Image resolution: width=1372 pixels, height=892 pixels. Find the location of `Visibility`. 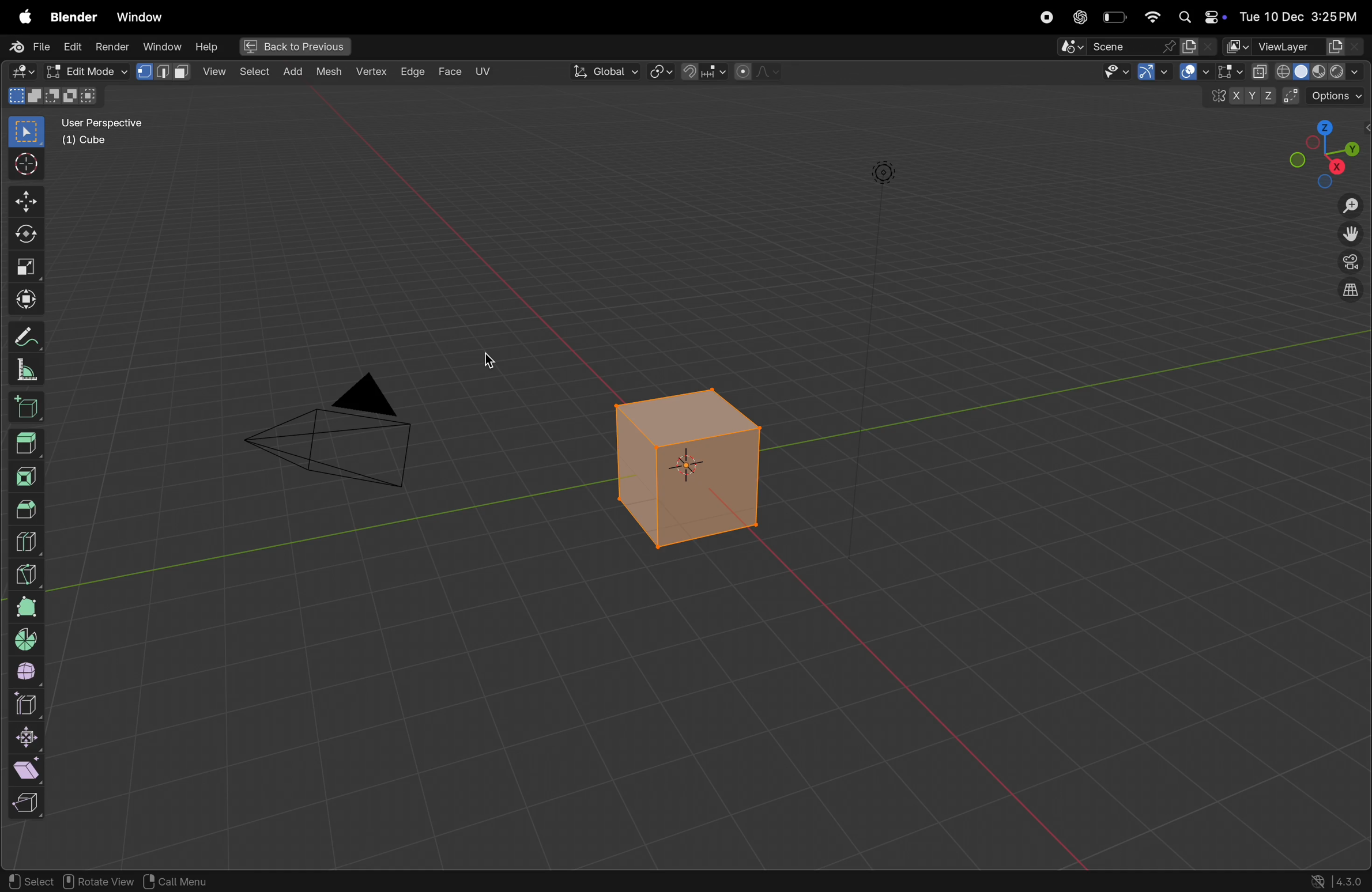

Visibility is located at coordinates (1128, 73).